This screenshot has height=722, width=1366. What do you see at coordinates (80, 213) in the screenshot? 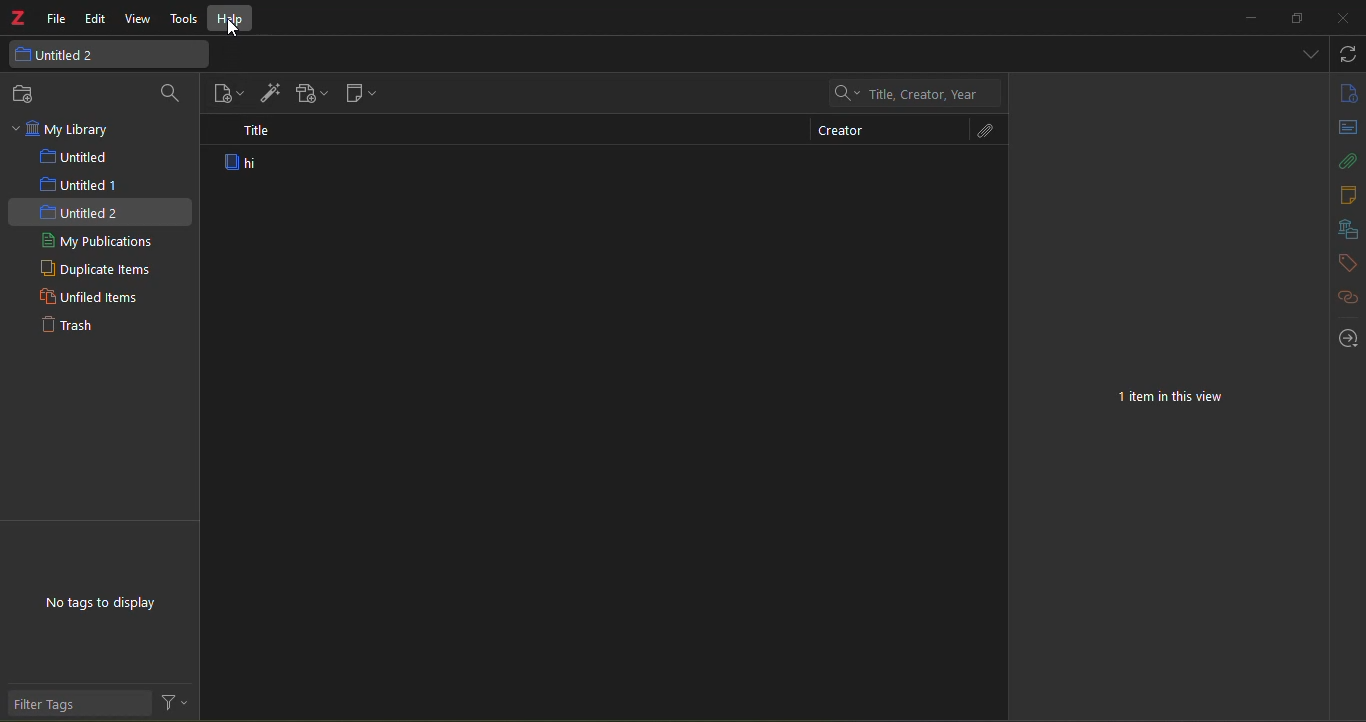
I see `untitled 2` at bounding box center [80, 213].